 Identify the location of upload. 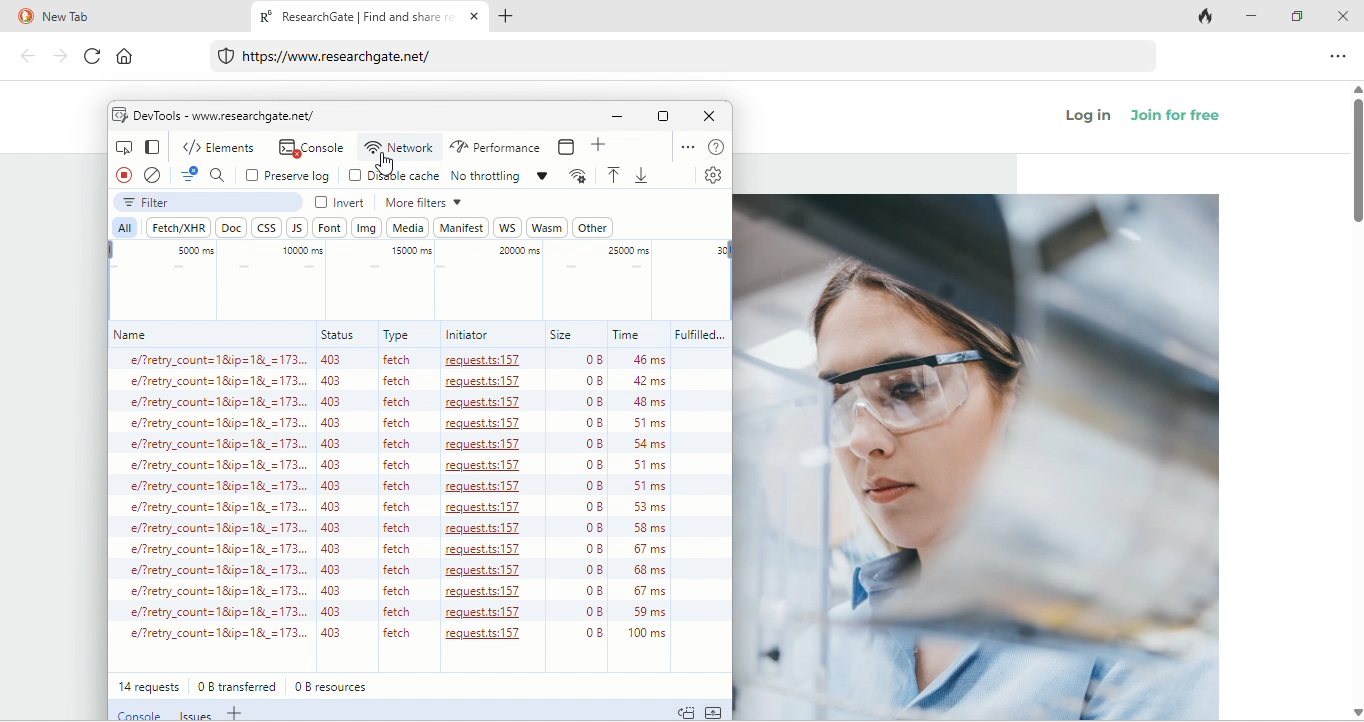
(613, 176).